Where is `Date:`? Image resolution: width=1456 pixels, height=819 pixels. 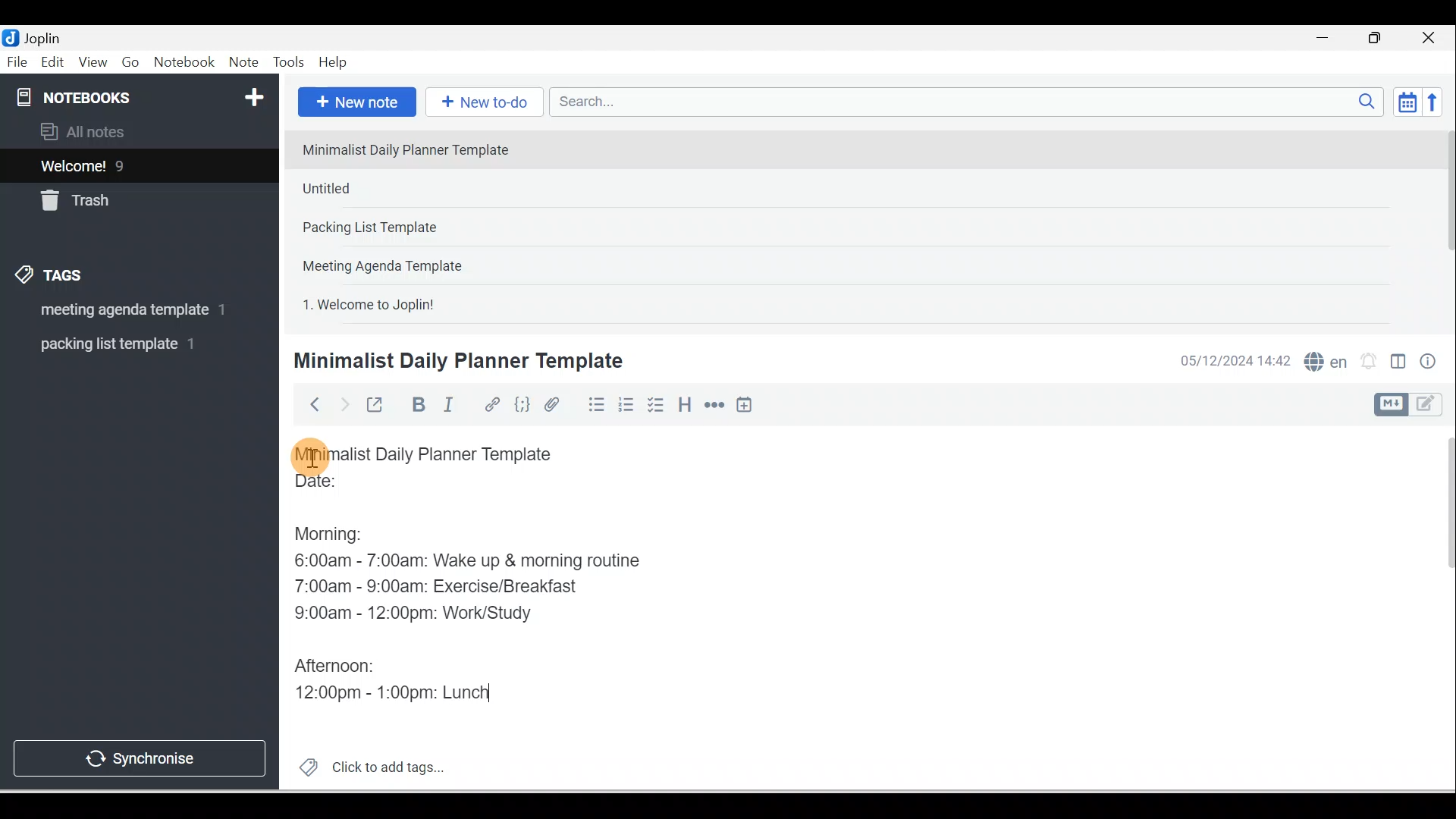 Date: is located at coordinates (359, 488).